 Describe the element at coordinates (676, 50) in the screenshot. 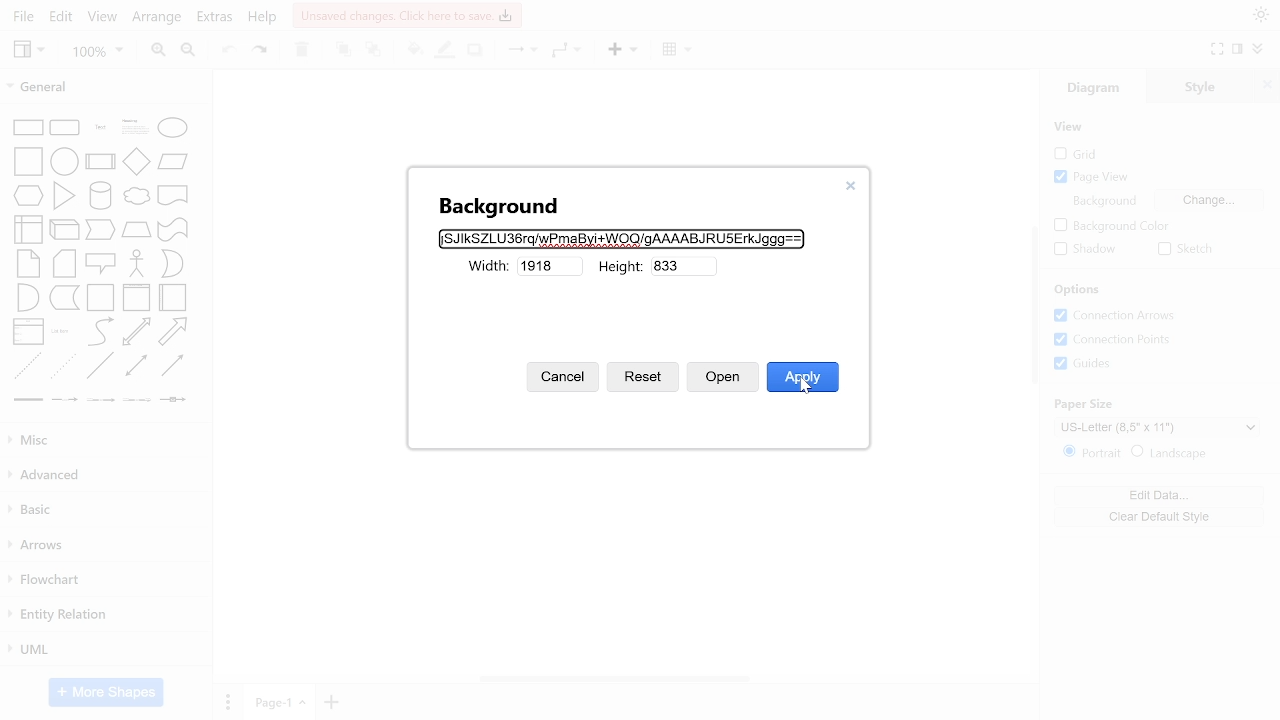

I see `table` at that location.